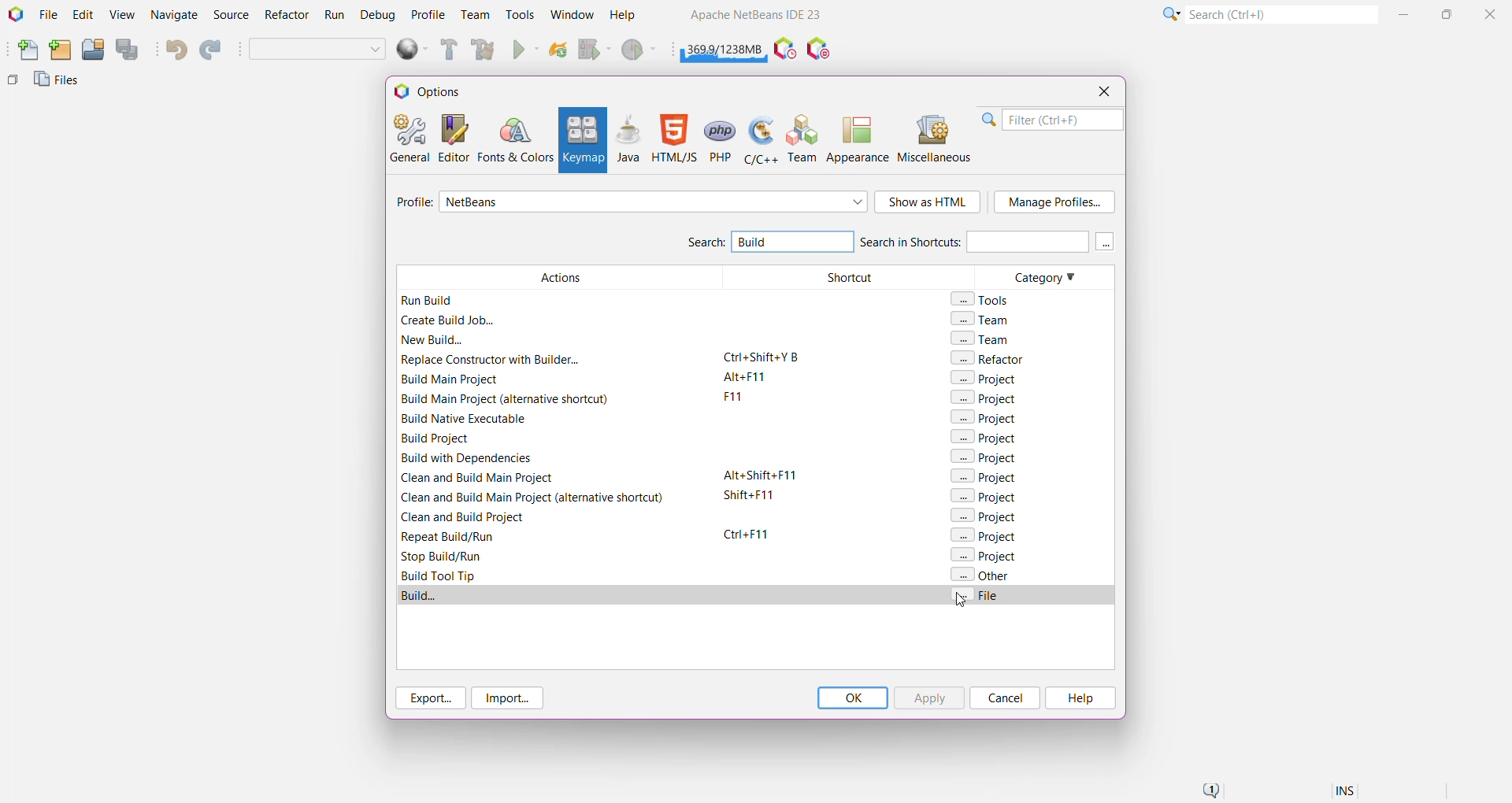 This screenshot has height=803, width=1512. I want to click on Build Main Project, so click(447, 50).